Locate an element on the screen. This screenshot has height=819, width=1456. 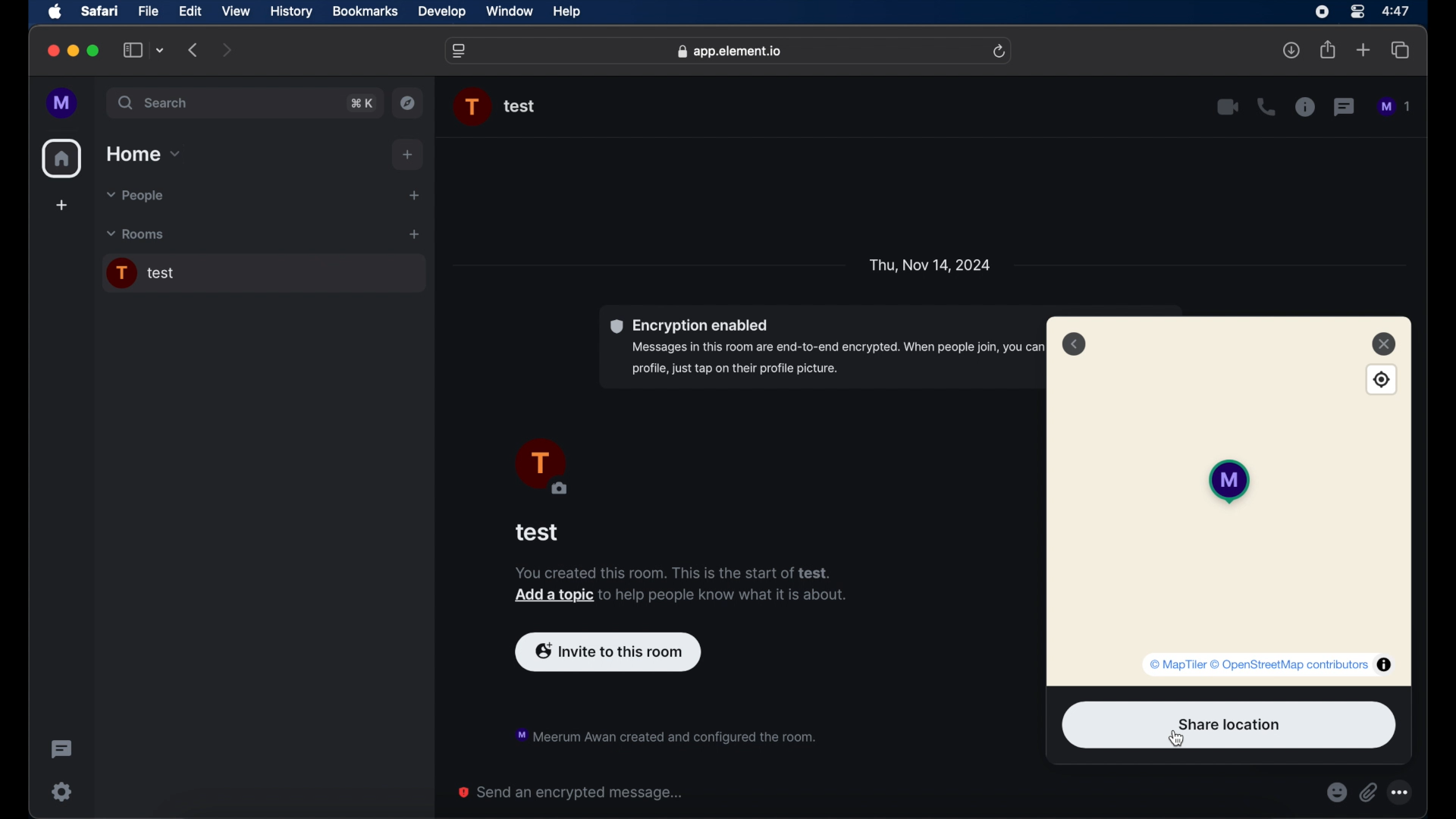
web address is located at coordinates (730, 51).